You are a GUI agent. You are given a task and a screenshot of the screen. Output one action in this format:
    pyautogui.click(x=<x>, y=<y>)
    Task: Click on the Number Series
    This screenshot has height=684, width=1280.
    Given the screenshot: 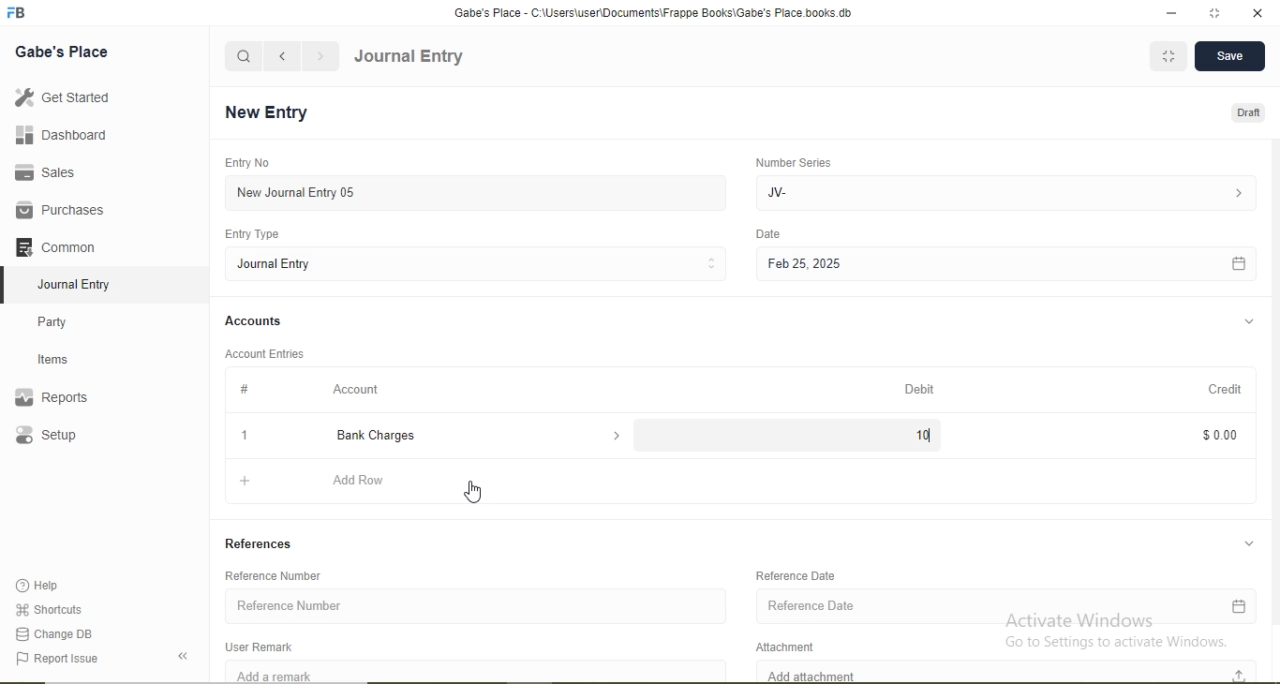 What is the action you would take?
    pyautogui.click(x=792, y=162)
    